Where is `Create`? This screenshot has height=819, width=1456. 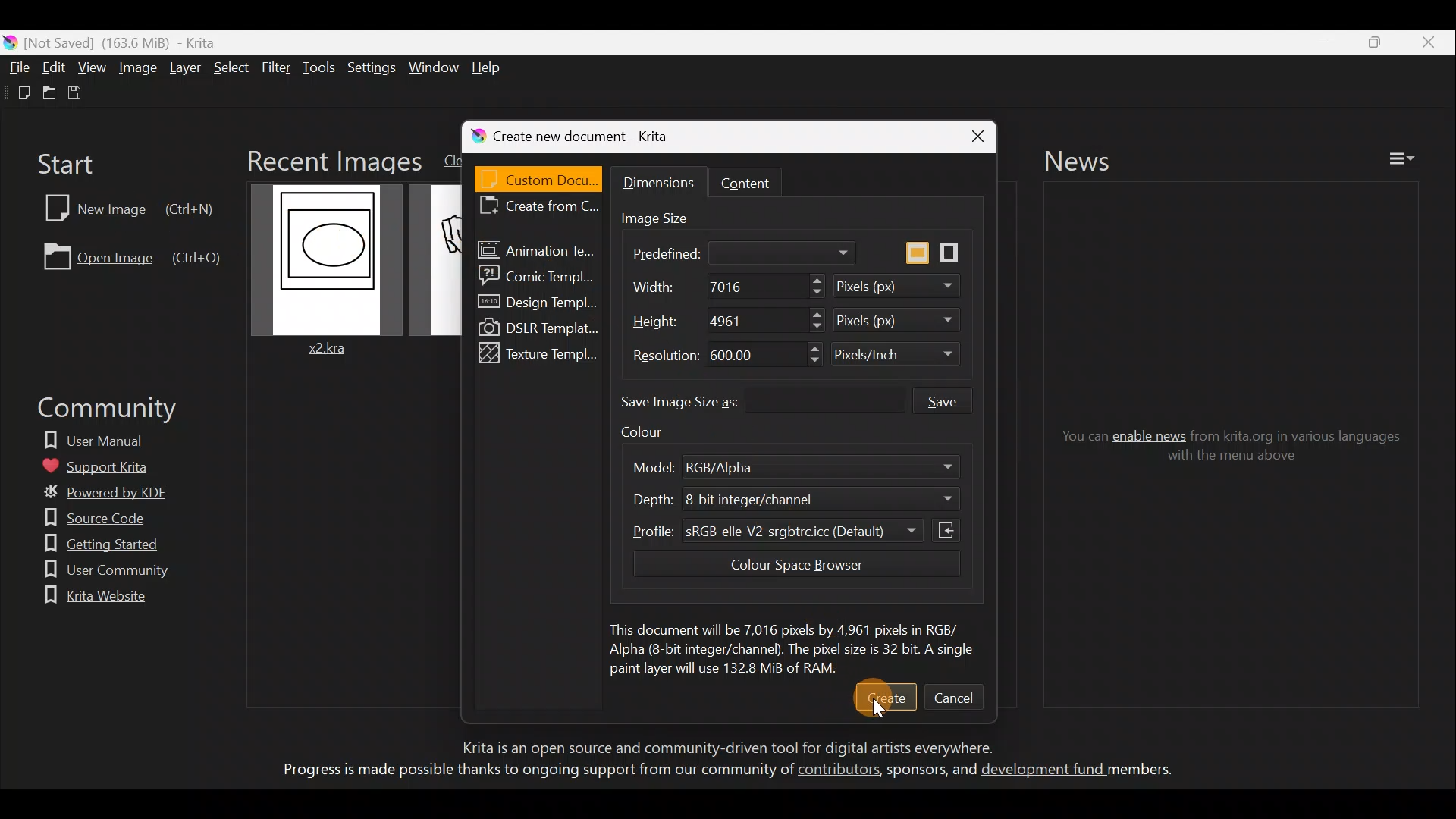
Create is located at coordinates (886, 695).